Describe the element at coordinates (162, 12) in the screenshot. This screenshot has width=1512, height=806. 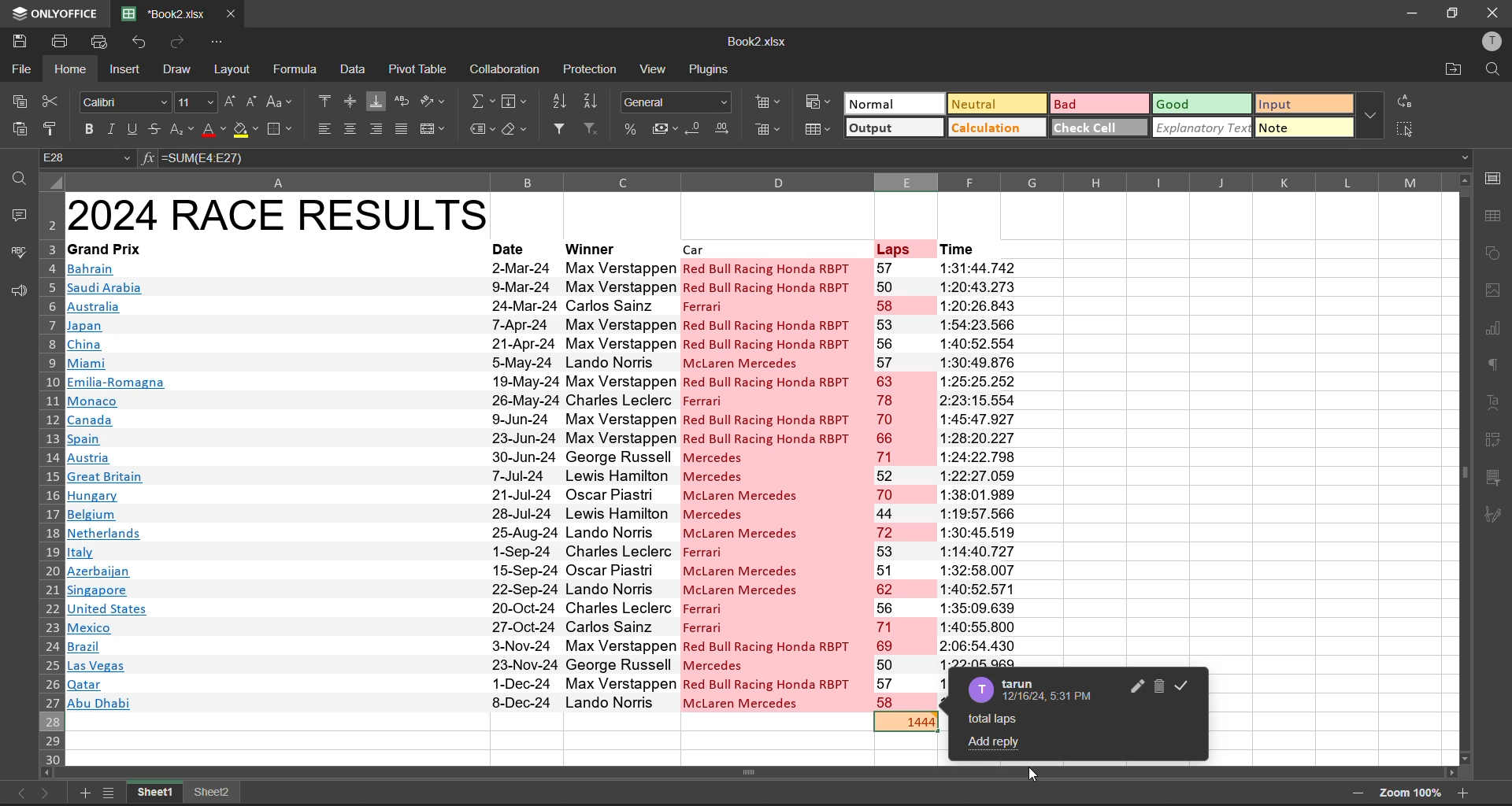
I see `filename` at that location.